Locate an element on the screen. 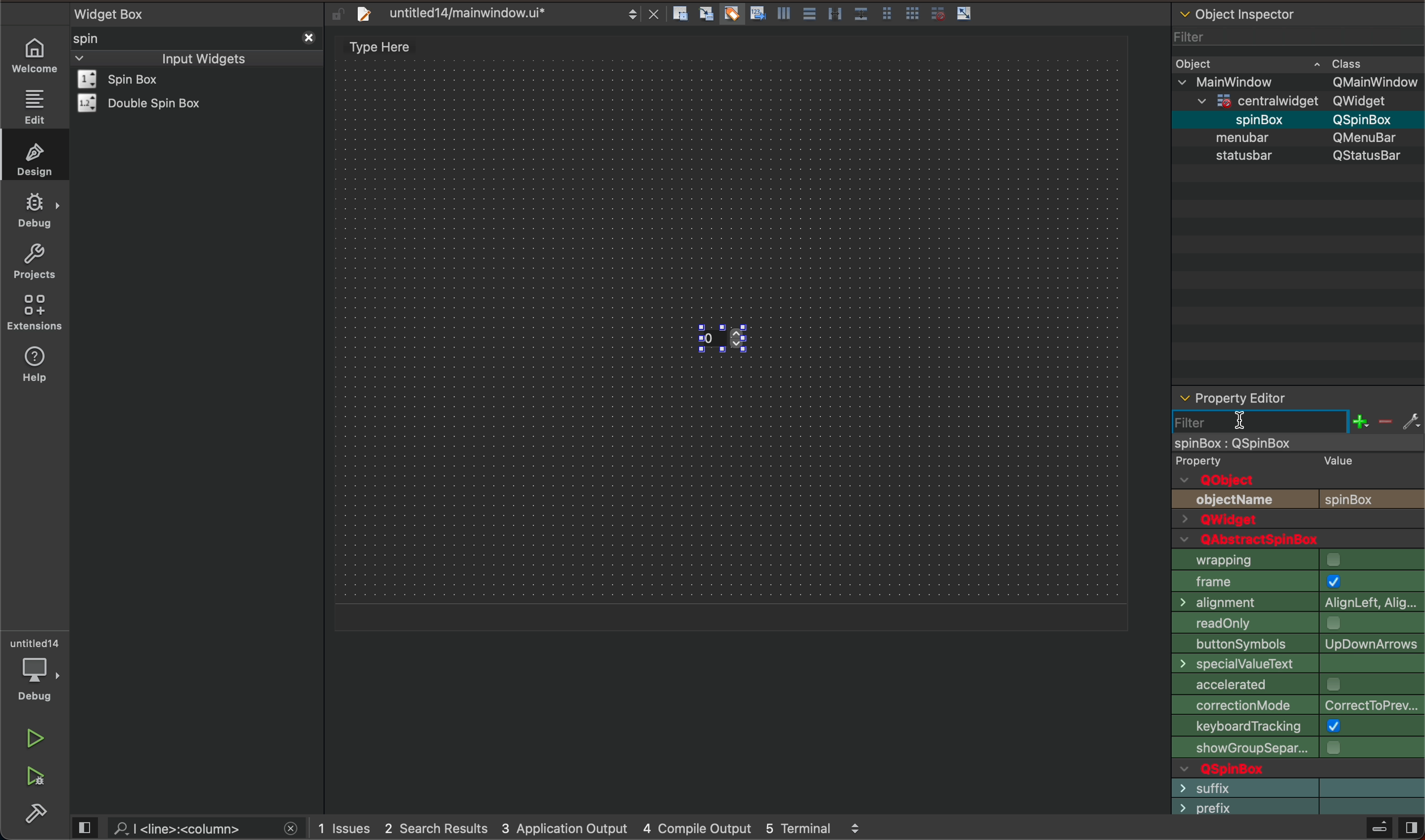 The height and width of the screenshot is (840, 1425).  is located at coordinates (1246, 81).